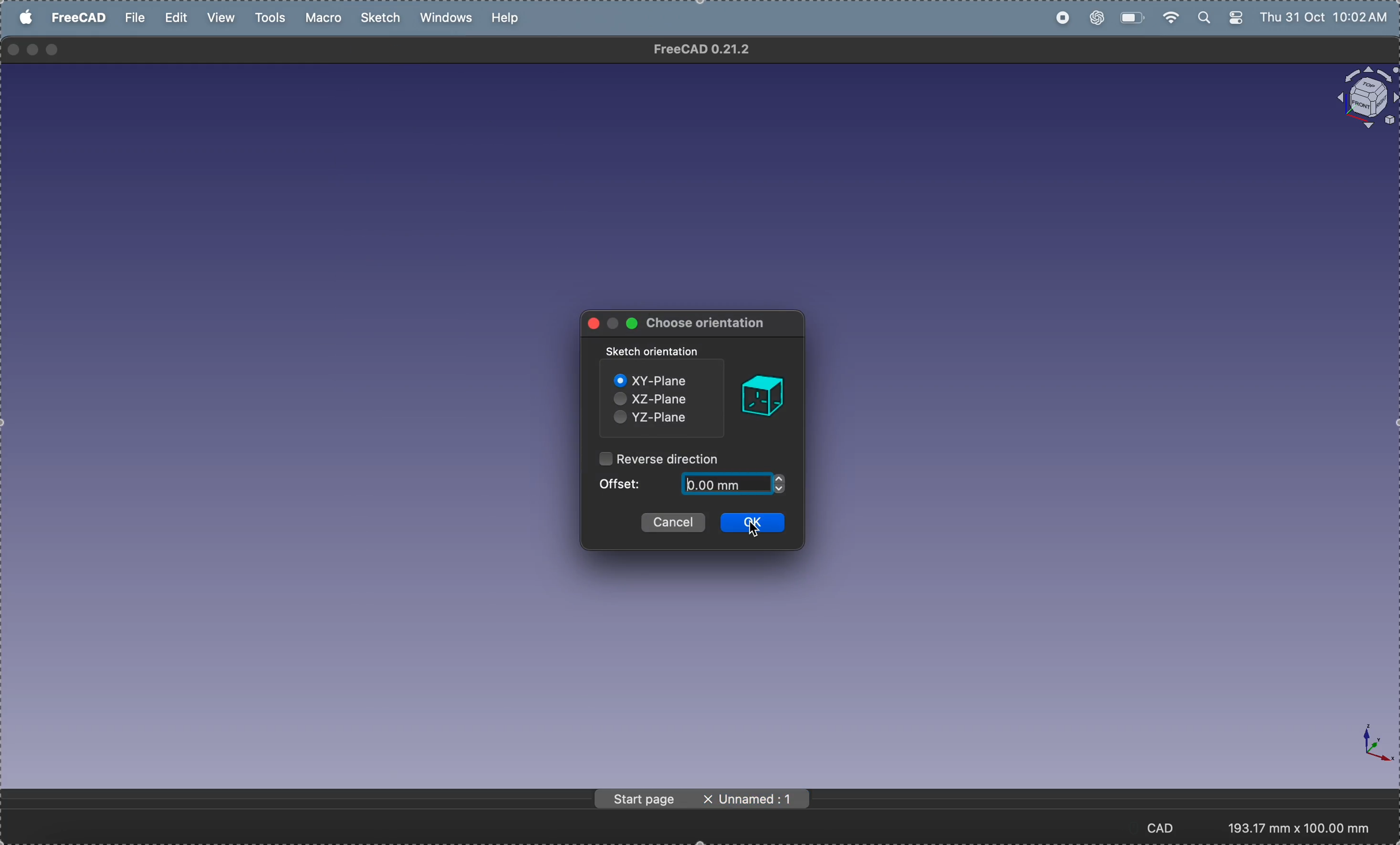 The height and width of the screenshot is (845, 1400). Describe the element at coordinates (756, 523) in the screenshot. I see `okay` at that location.